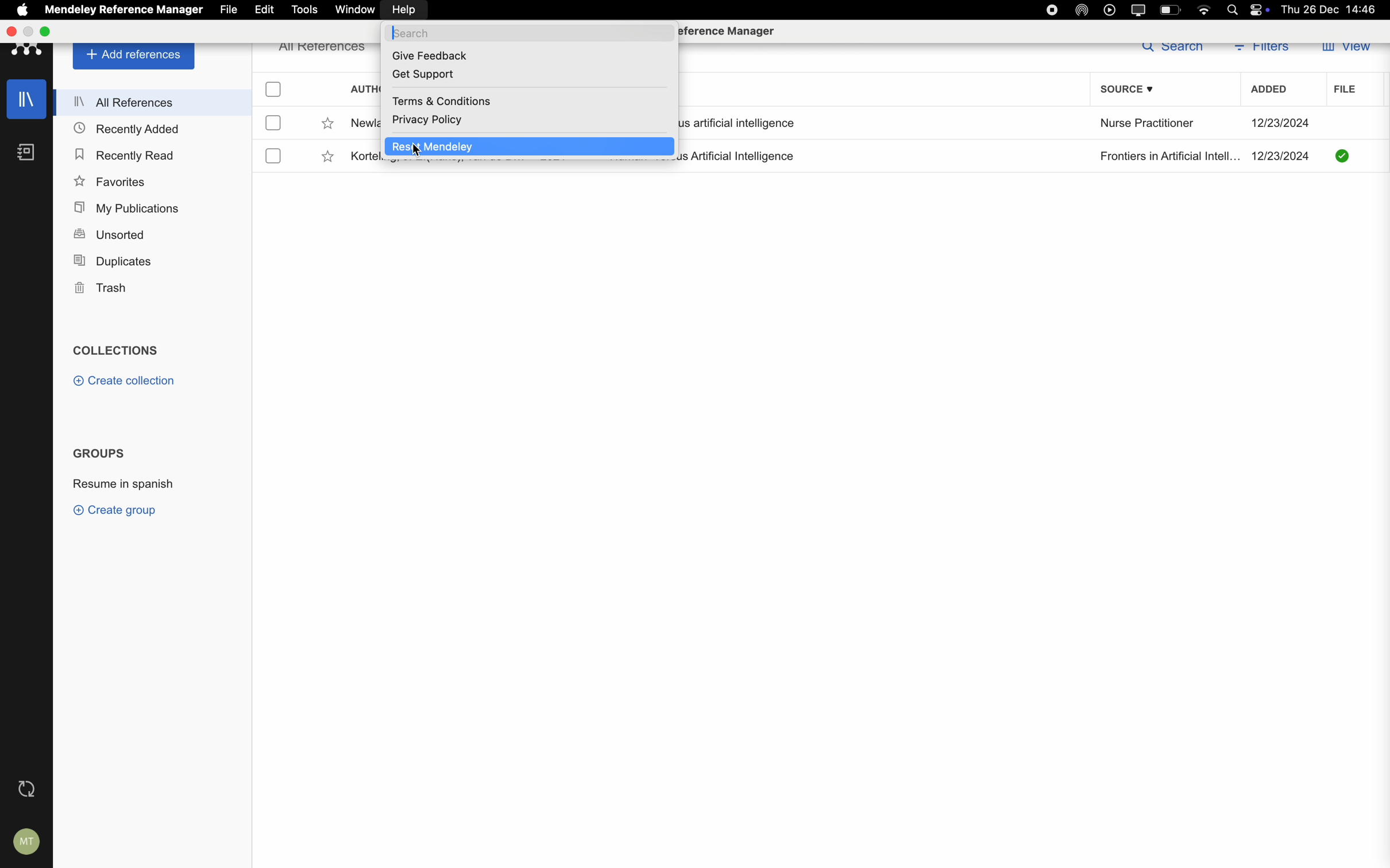 The height and width of the screenshot is (868, 1390). What do you see at coordinates (227, 10) in the screenshot?
I see `file` at bounding box center [227, 10].